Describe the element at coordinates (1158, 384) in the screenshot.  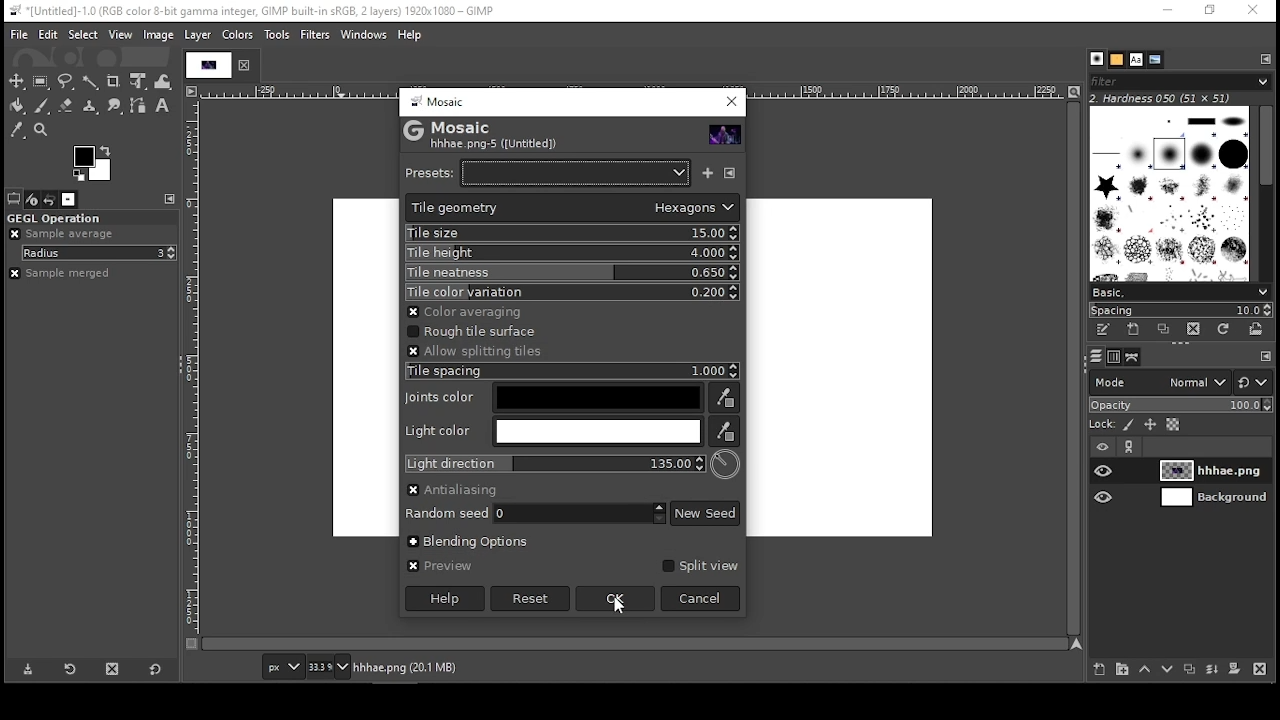
I see `mode` at that location.